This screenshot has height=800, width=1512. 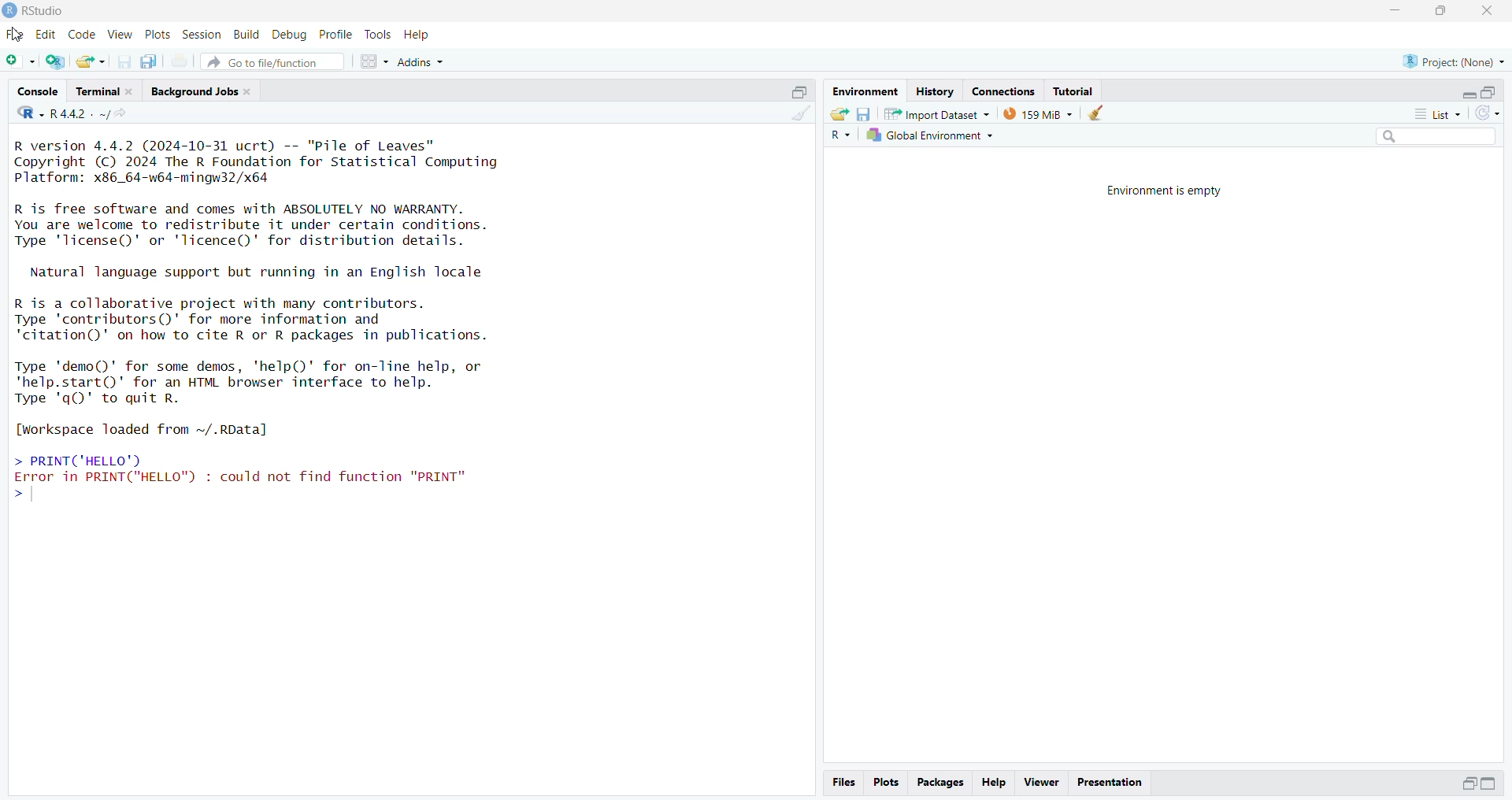 I want to click on print current file, so click(x=180, y=63).